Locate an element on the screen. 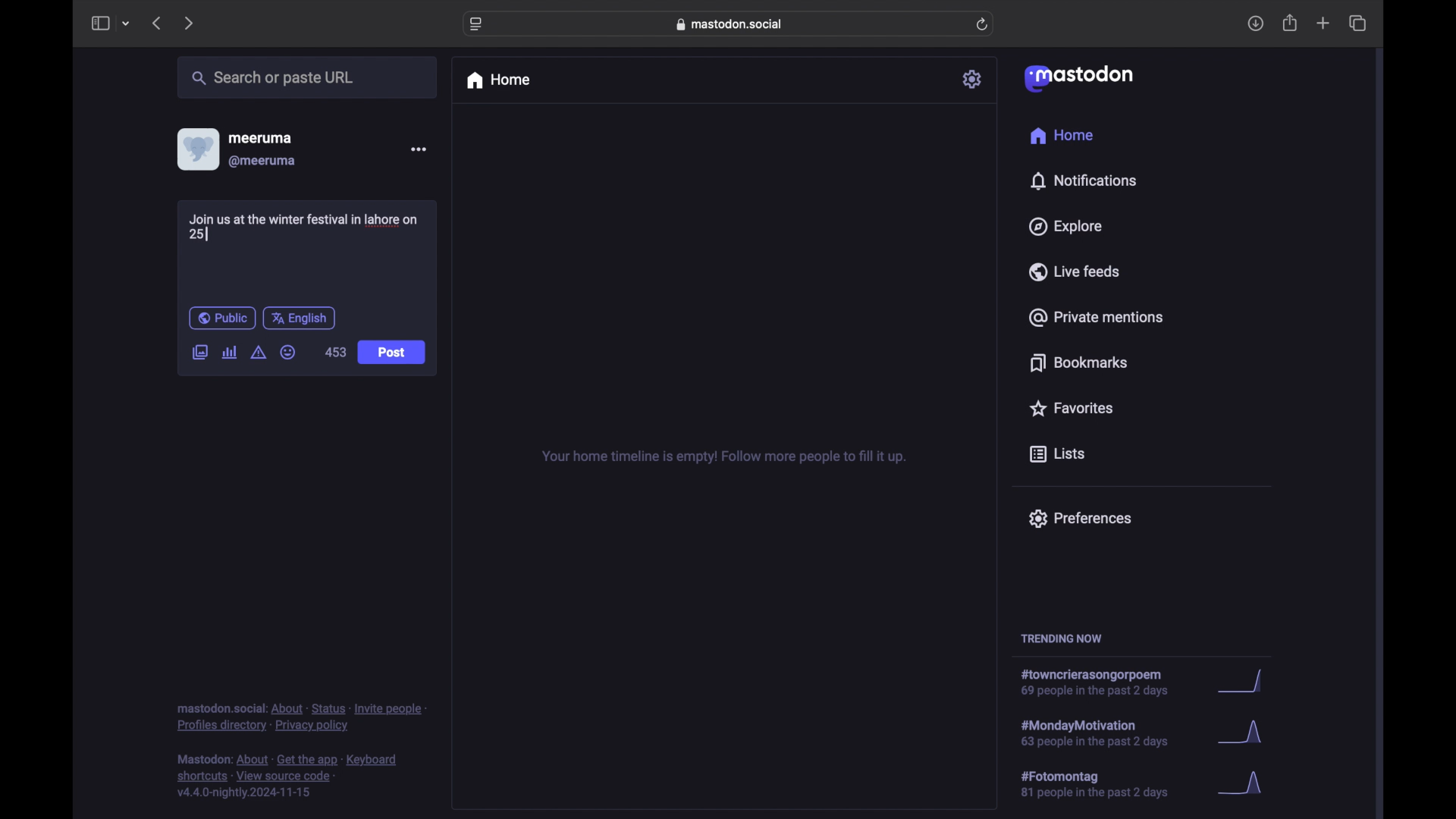 This screenshot has height=819, width=1456. previous is located at coordinates (156, 23).